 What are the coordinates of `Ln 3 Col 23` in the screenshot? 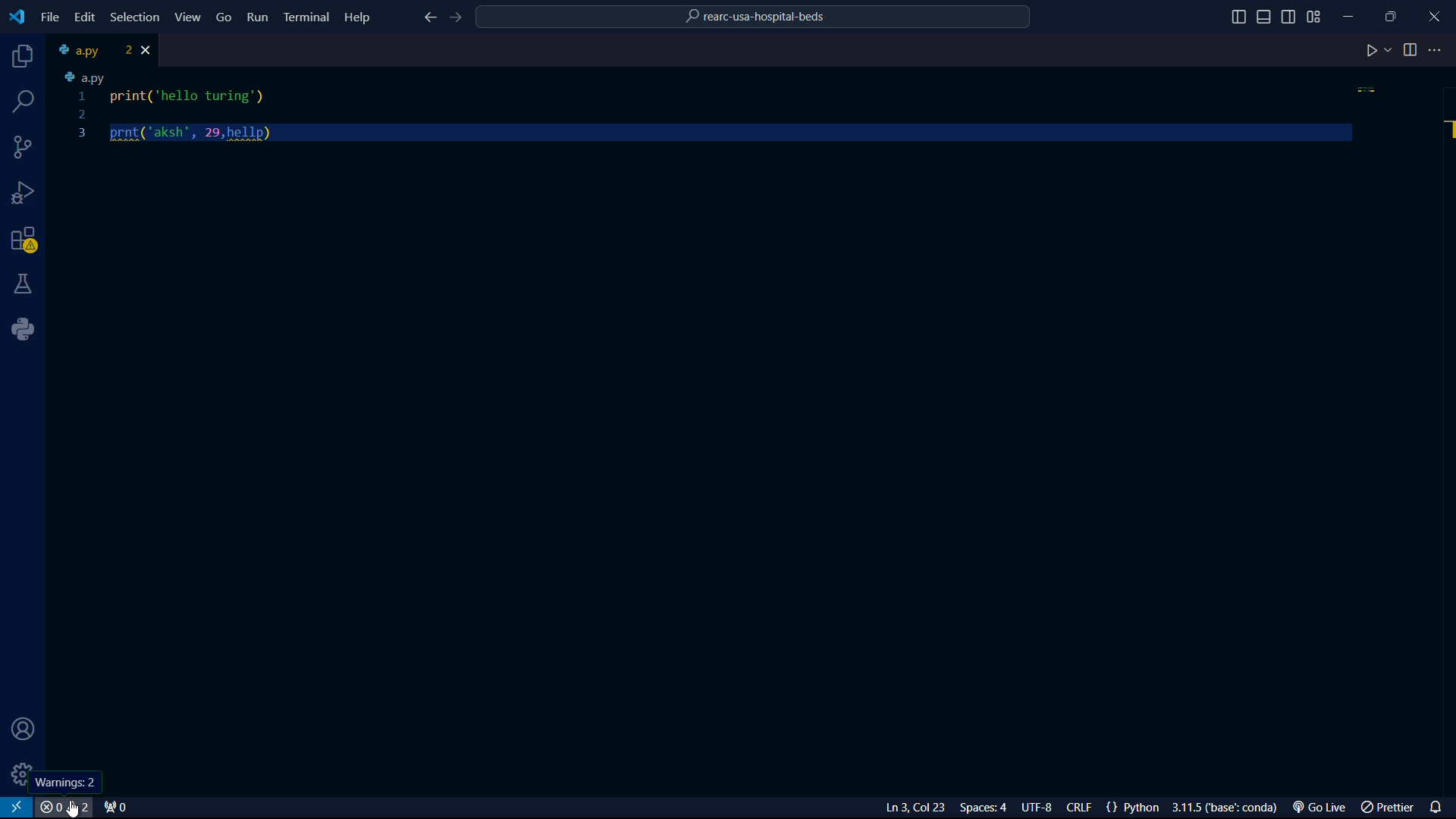 It's located at (897, 808).